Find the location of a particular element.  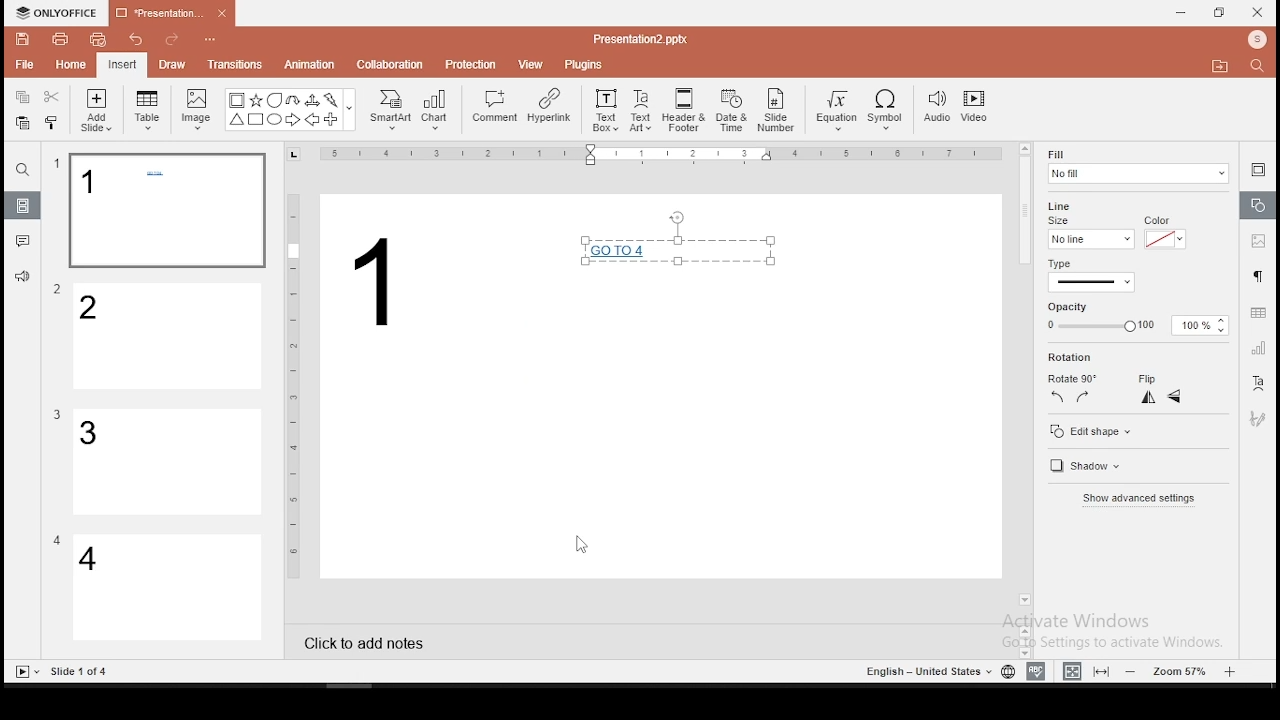

Move to folder is located at coordinates (1223, 68).